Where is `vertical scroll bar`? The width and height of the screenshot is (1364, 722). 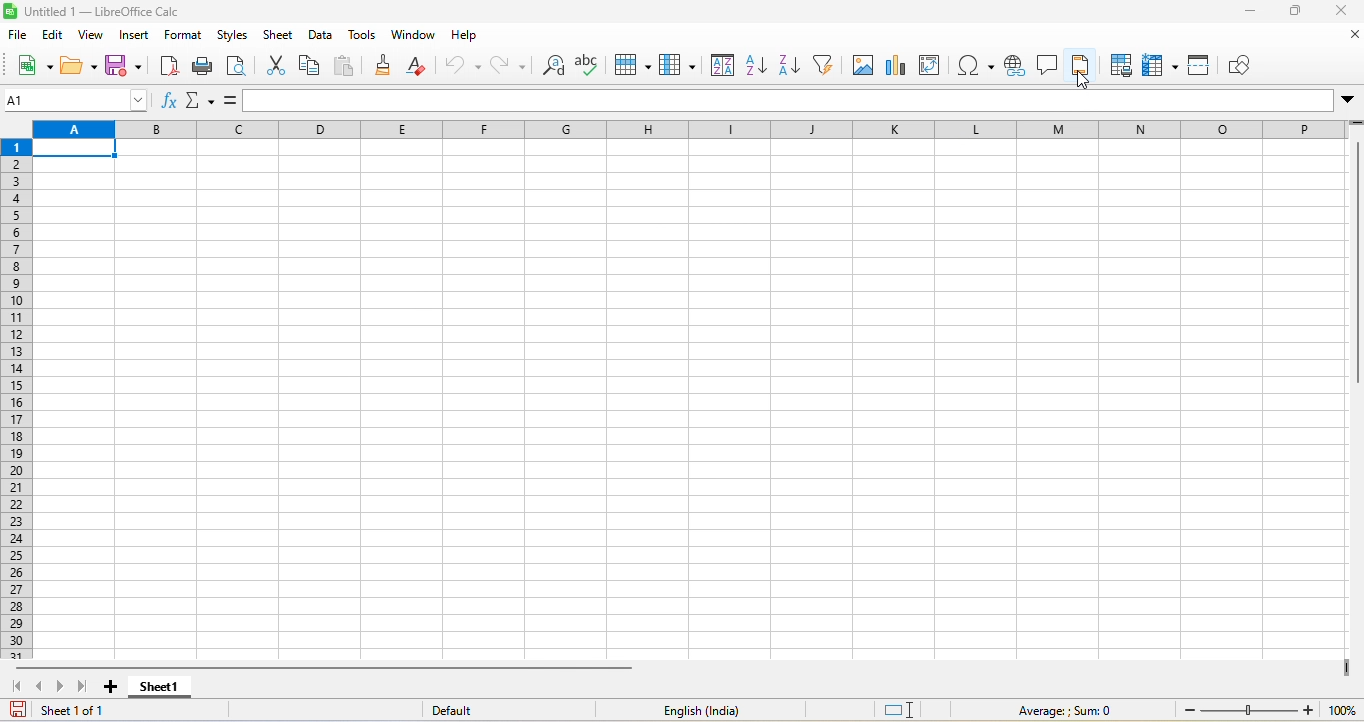
vertical scroll bar is located at coordinates (1355, 265).